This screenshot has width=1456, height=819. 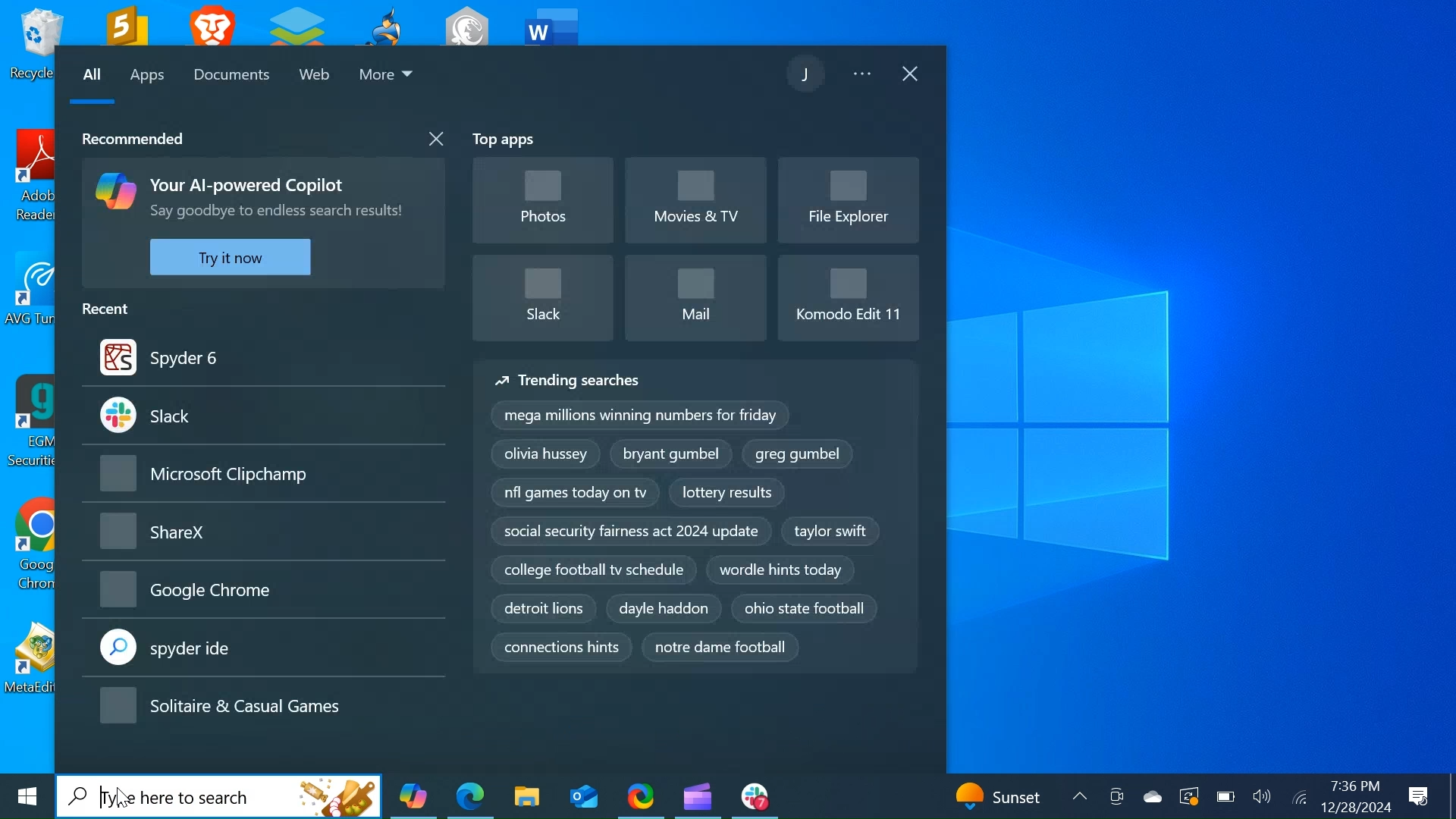 I want to click on All, so click(x=92, y=77).